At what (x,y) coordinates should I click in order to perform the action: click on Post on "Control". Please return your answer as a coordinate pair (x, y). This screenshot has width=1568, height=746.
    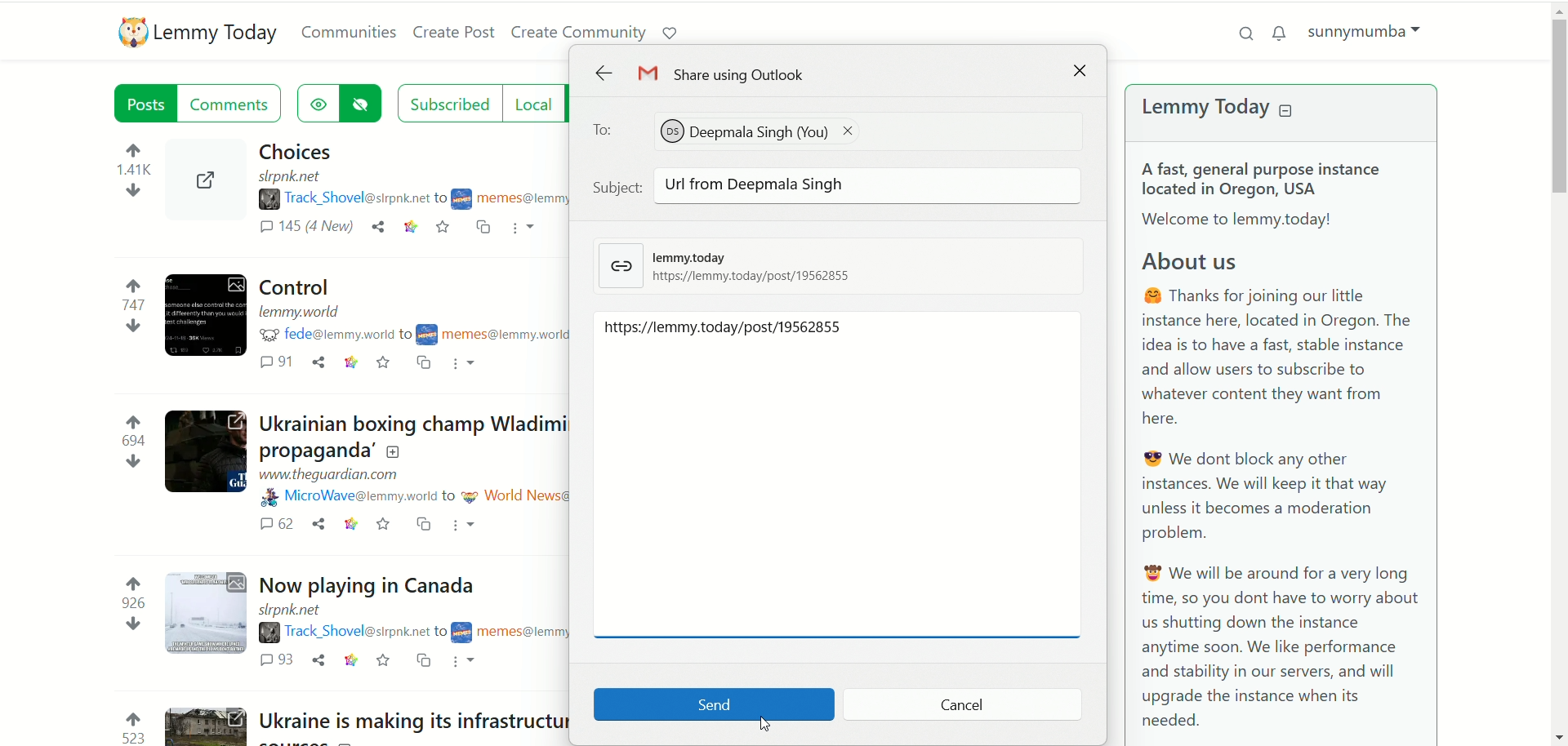
    Looking at the image, I should click on (301, 286).